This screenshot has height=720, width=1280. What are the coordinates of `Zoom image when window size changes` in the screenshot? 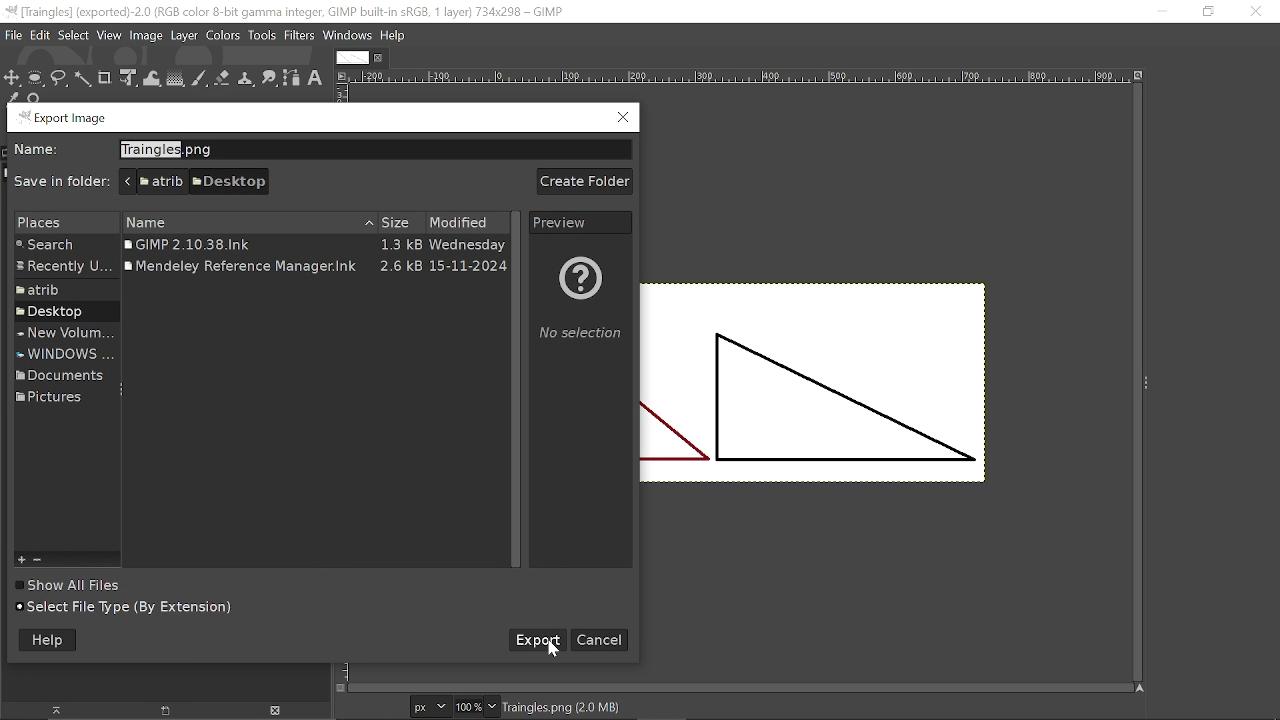 It's located at (1138, 75).